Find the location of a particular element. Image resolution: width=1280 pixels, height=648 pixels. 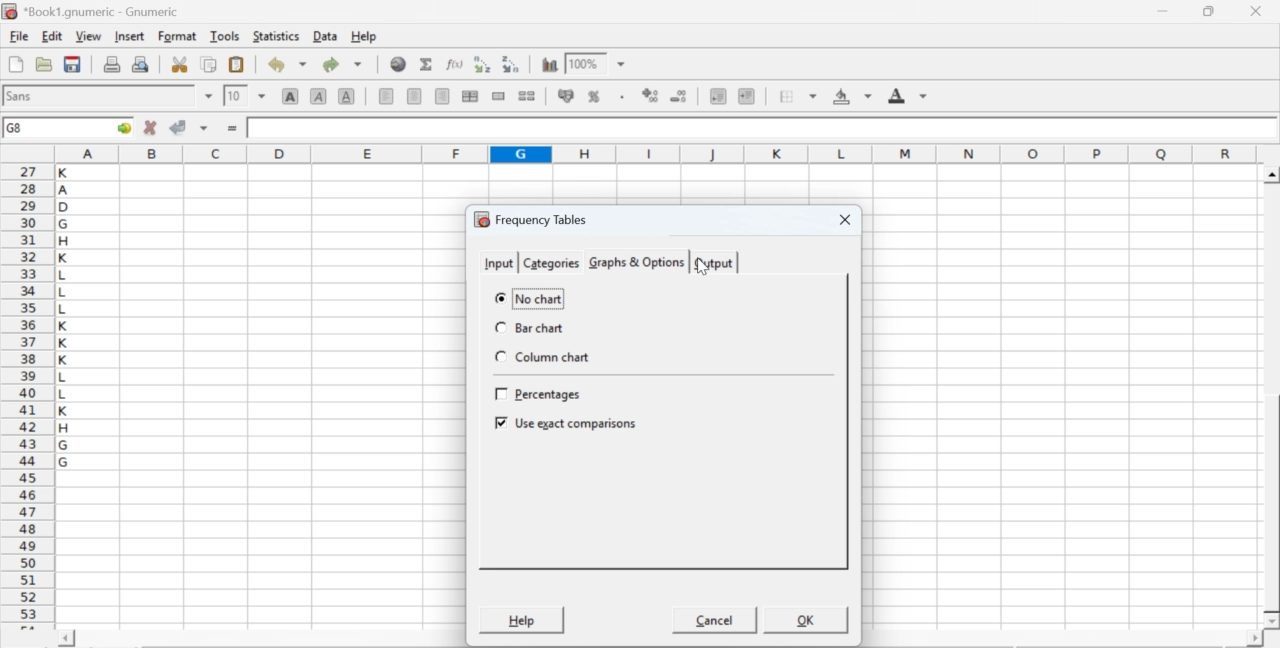

merge a range of cells is located at coordinates (499, 96).